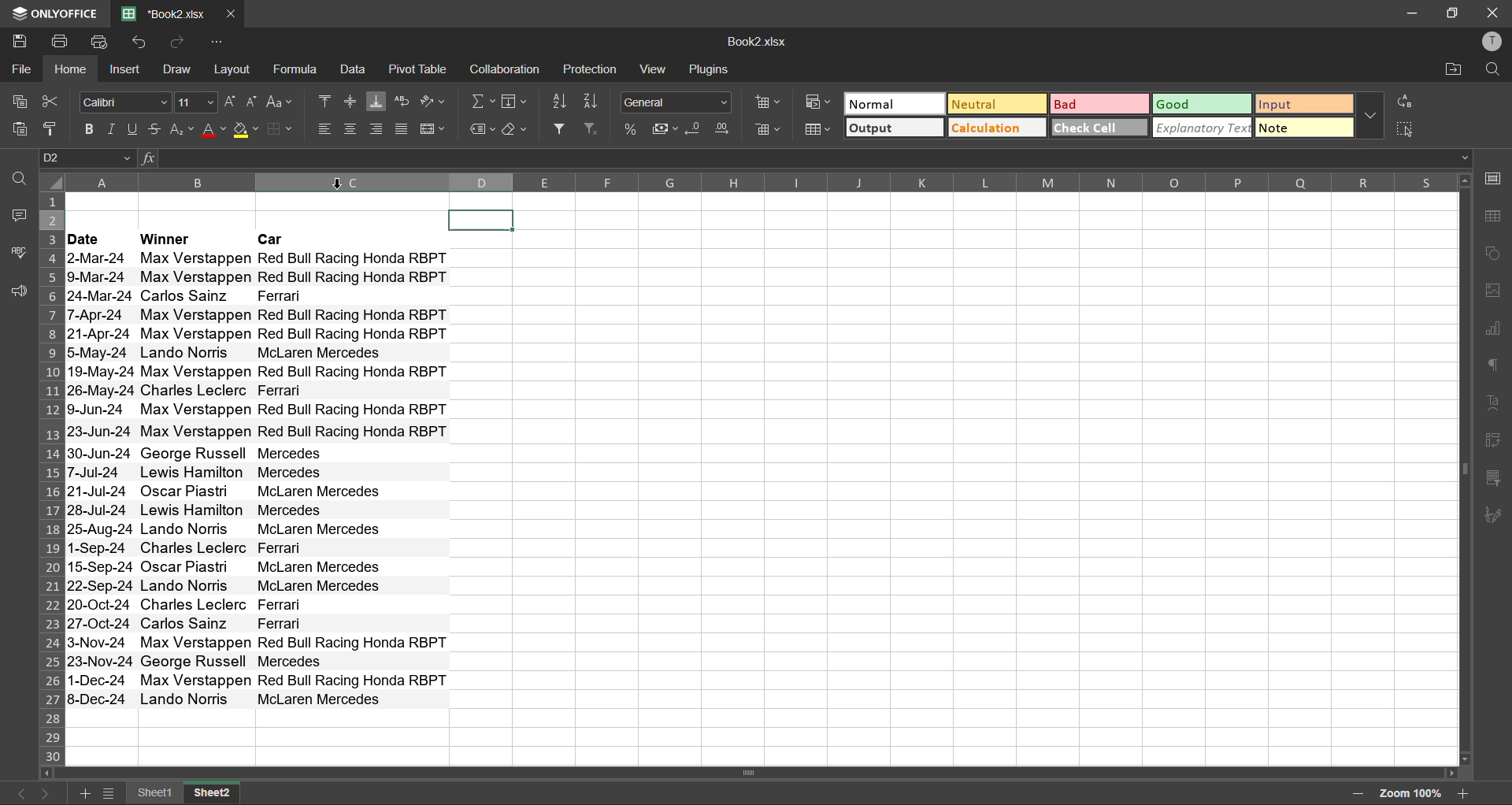 The width and height of the screenshot is (1512, 805). Describe the element at coordinates (154, 793) in the screenshot. I see `sheet1` at that location.